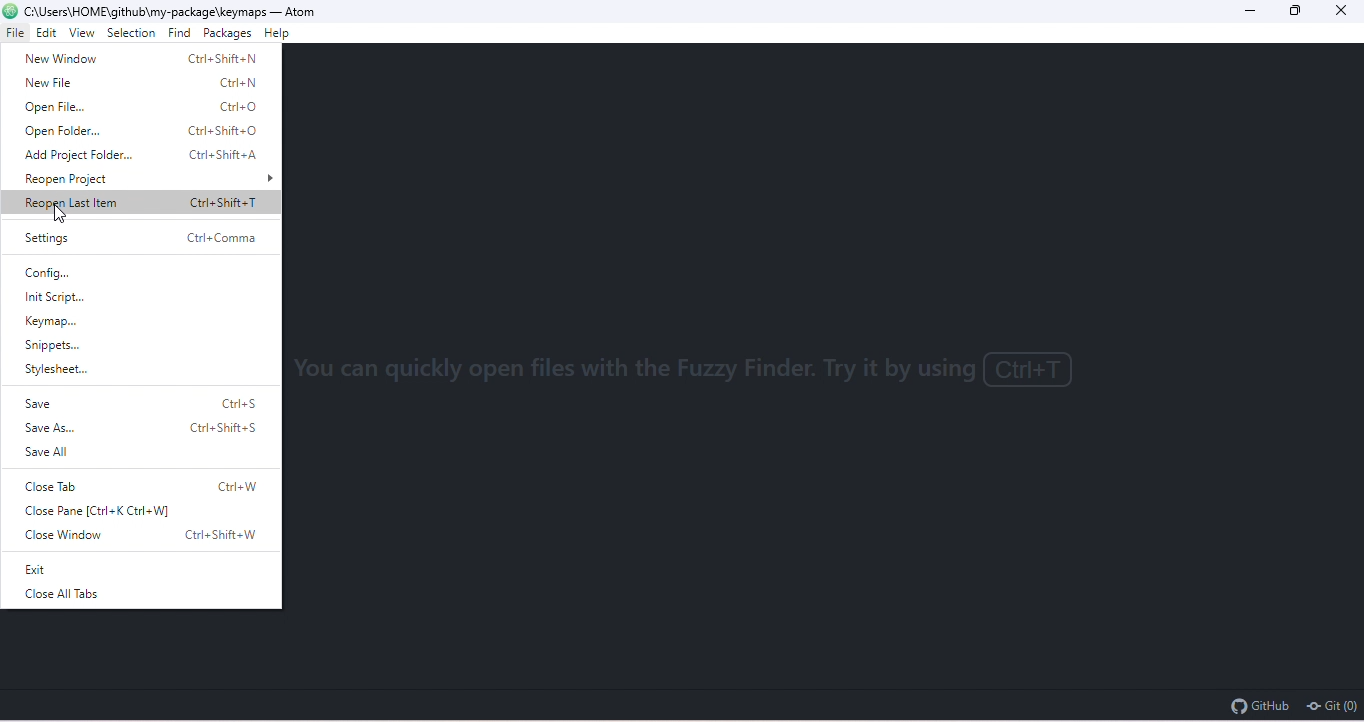 This screenshot has width=1364, height=722. What do you see at coordinates (87, 373) in the screenshot?
I see `stylesheet` at bounding box center [87, 373].